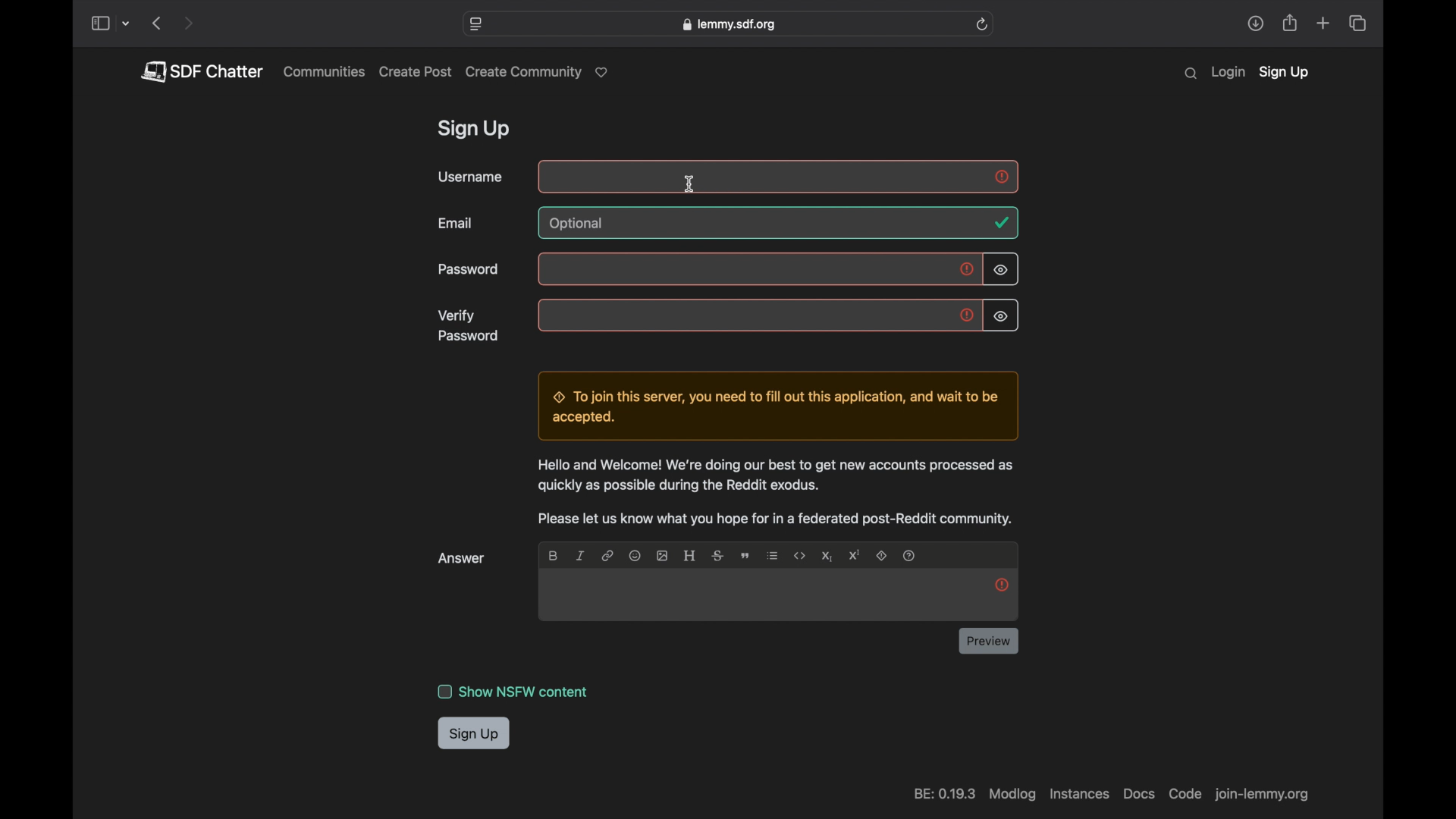 Image resolution: width=1456 pixels, height=819 pixels. What do you see at coordinates (1078, 794) in the screenshot?
I see `instances` at bounding box center [1078, 794].